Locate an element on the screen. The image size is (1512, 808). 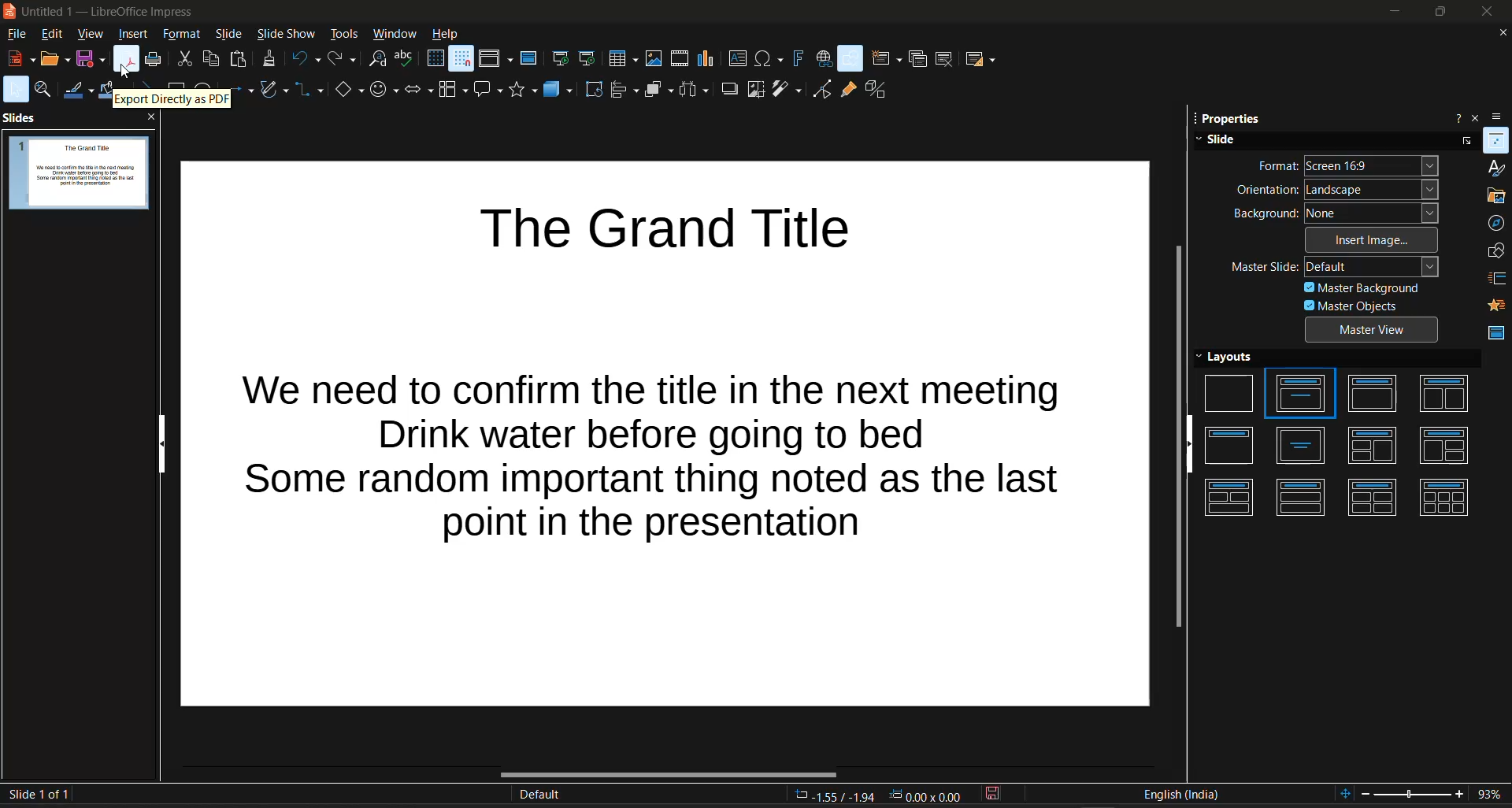
flowchart is located at coordinates (452, 92).